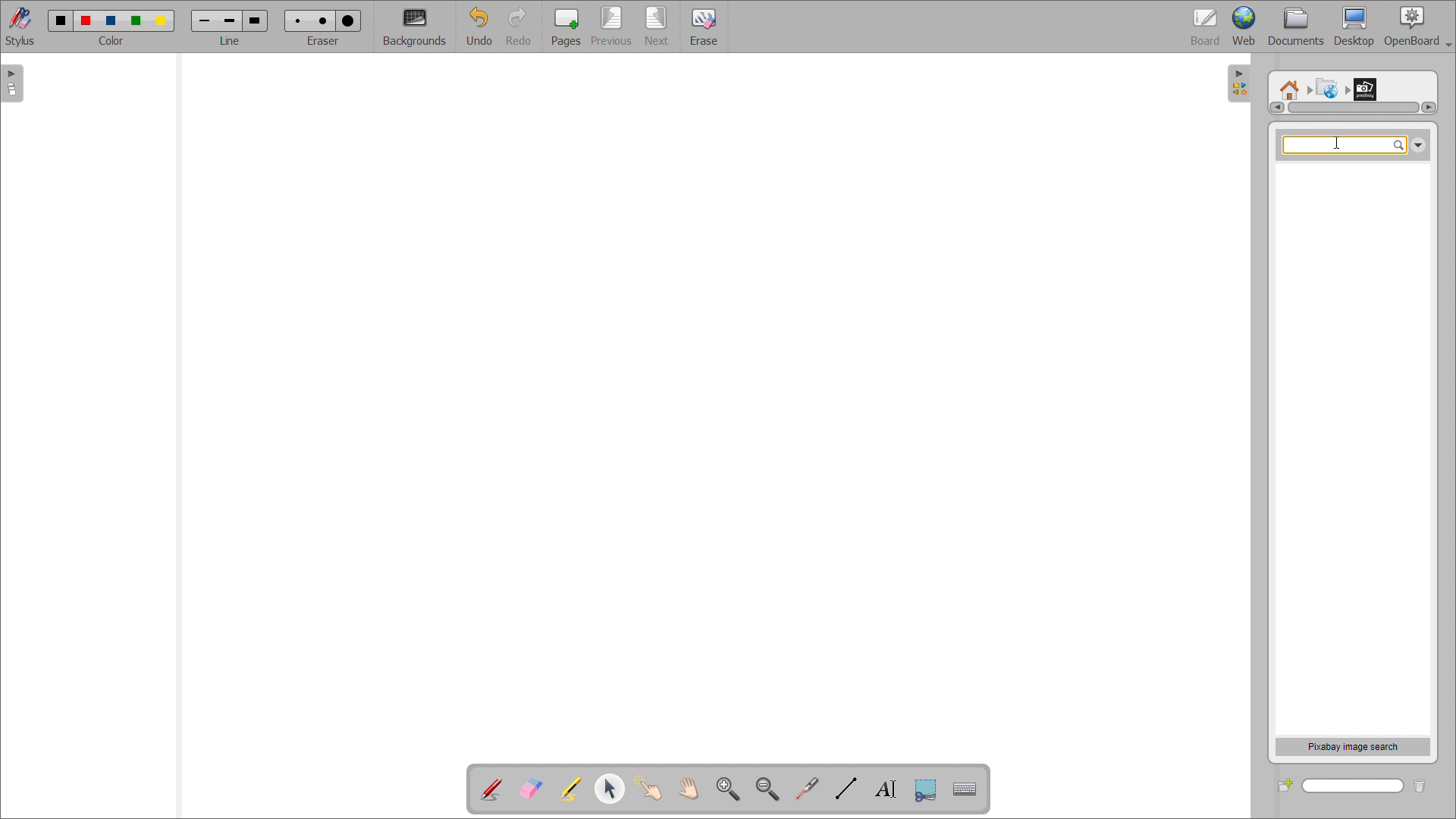 Image resolution: width=1456 pixels, height=819 pixels. I want to click on virtual keyboard, so click(965, 789).